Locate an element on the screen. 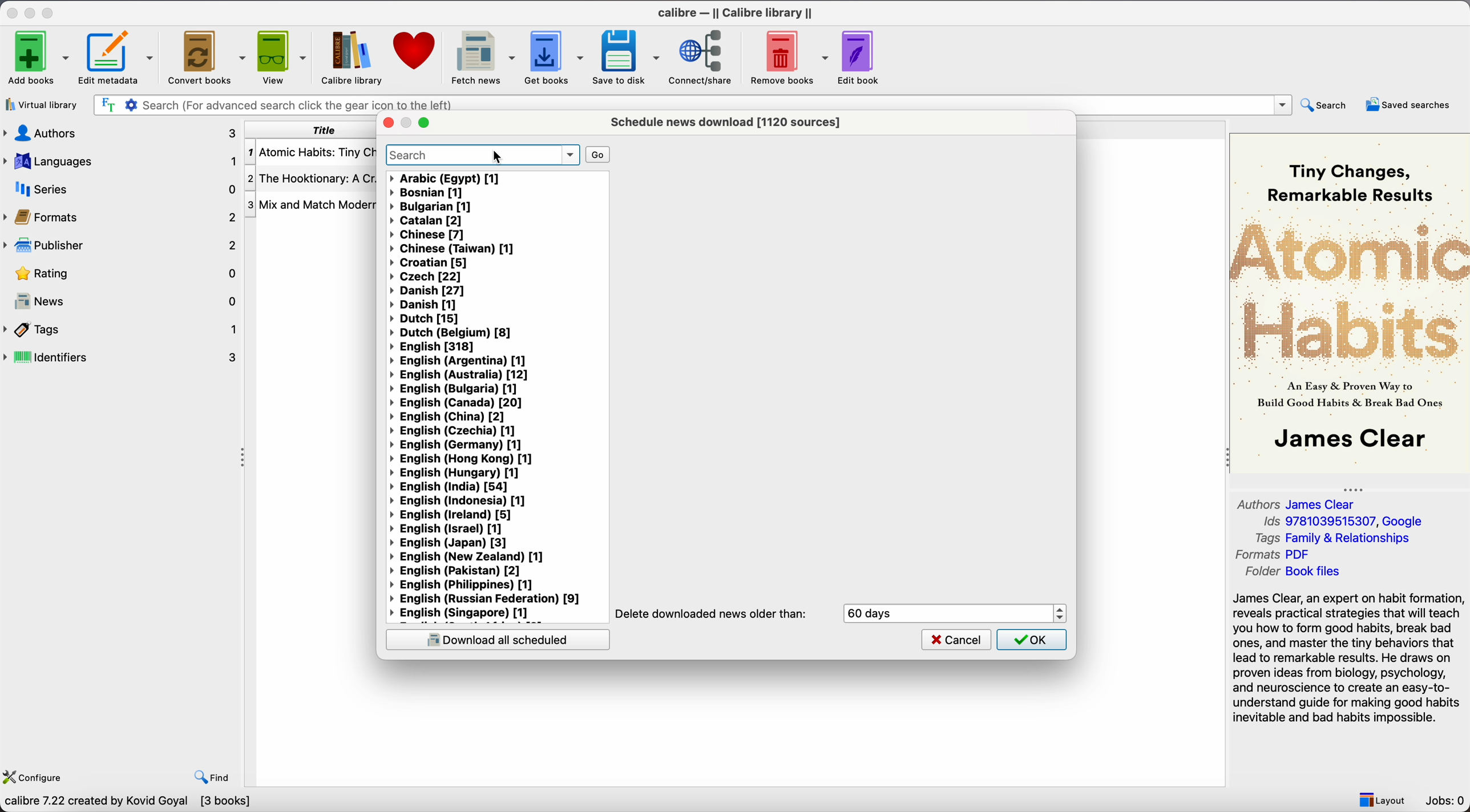 Image resolution: width=1470 pixels, height=812 pixels. English (Philippines) [1] is located at coordinates (470, 585).